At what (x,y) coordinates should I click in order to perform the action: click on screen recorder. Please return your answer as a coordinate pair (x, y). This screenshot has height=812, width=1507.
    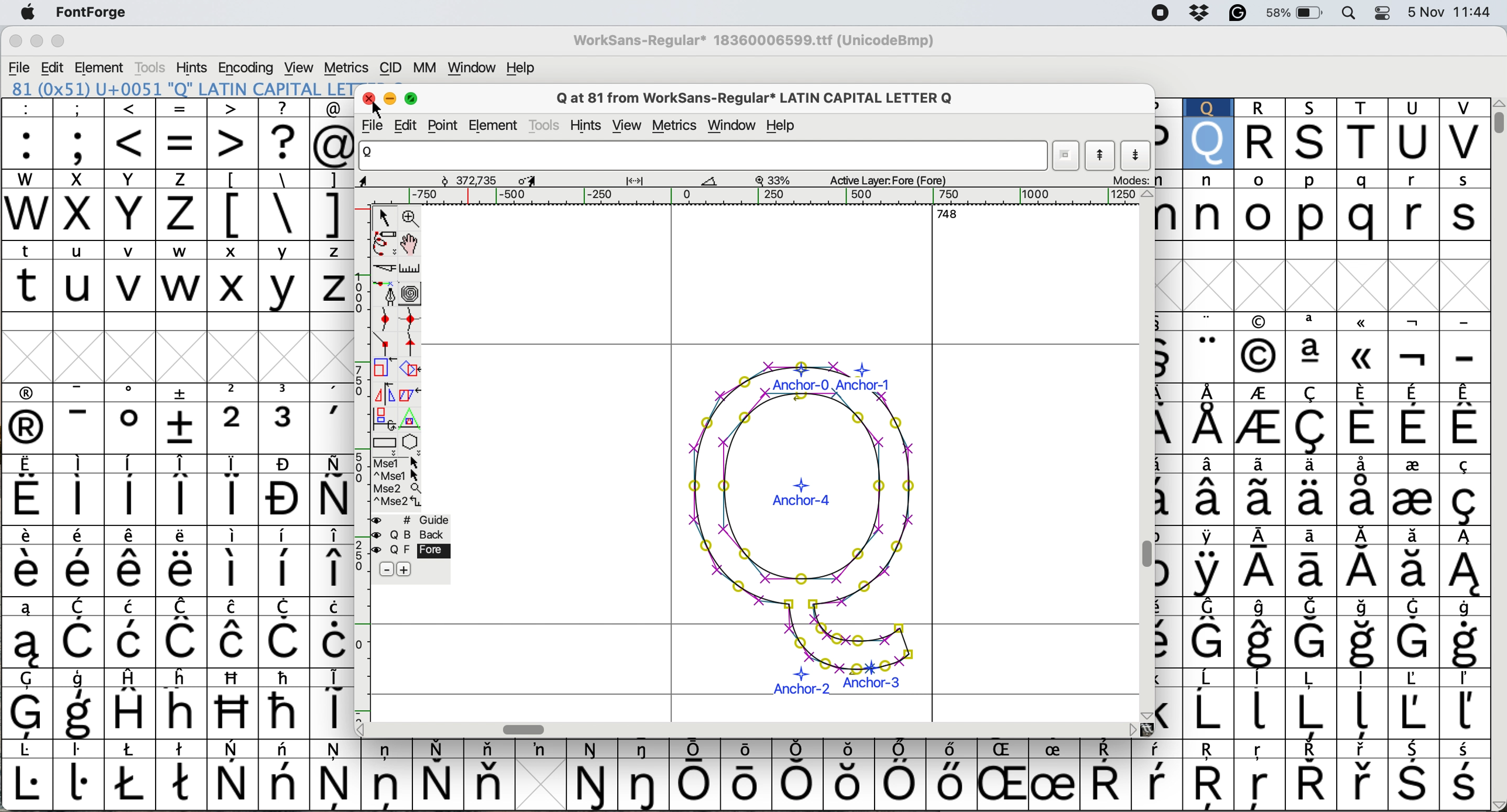
    Looking at the image, I should click on (1165, 13).